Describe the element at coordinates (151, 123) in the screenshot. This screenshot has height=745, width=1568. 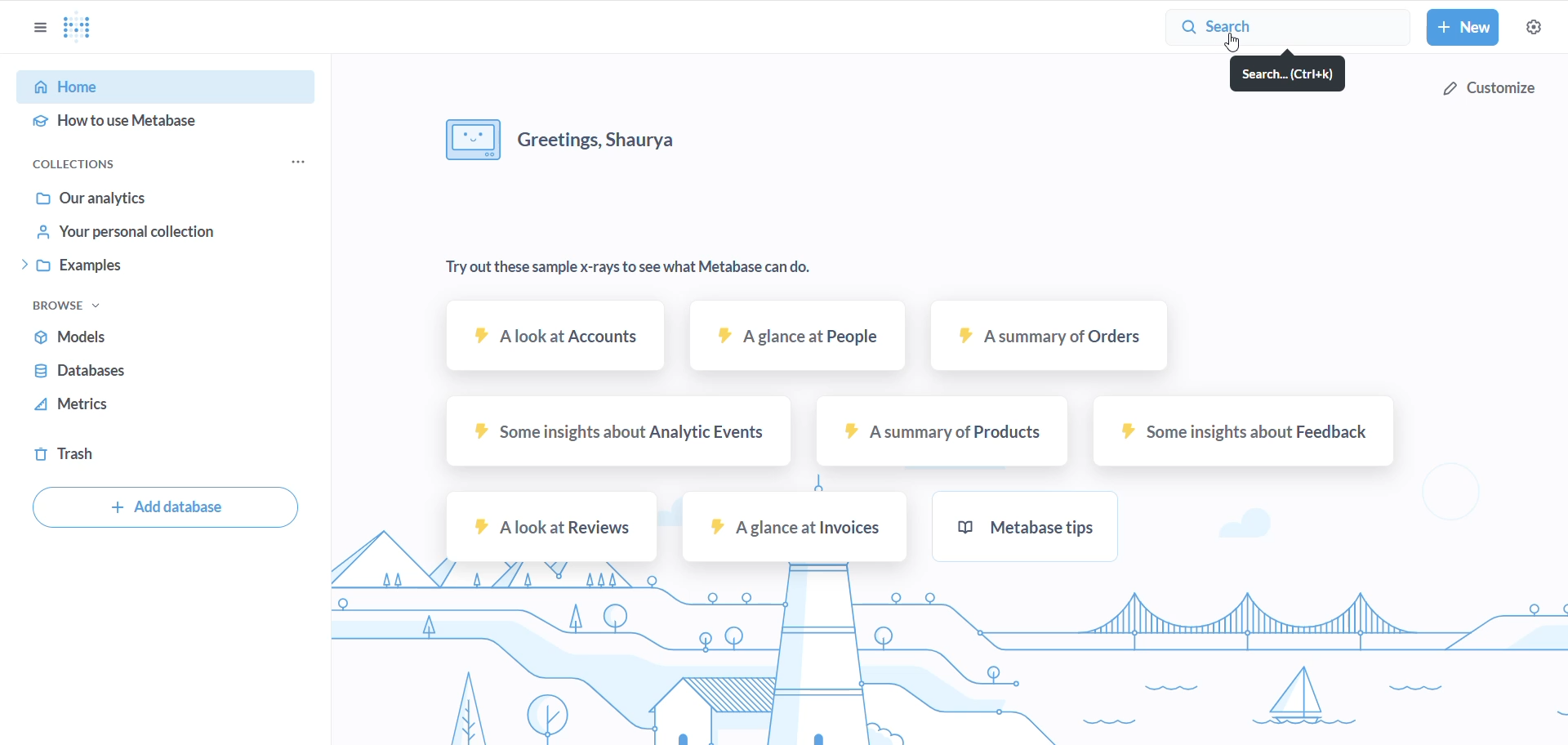
I see `HOW TO USE METABASE` at that location.